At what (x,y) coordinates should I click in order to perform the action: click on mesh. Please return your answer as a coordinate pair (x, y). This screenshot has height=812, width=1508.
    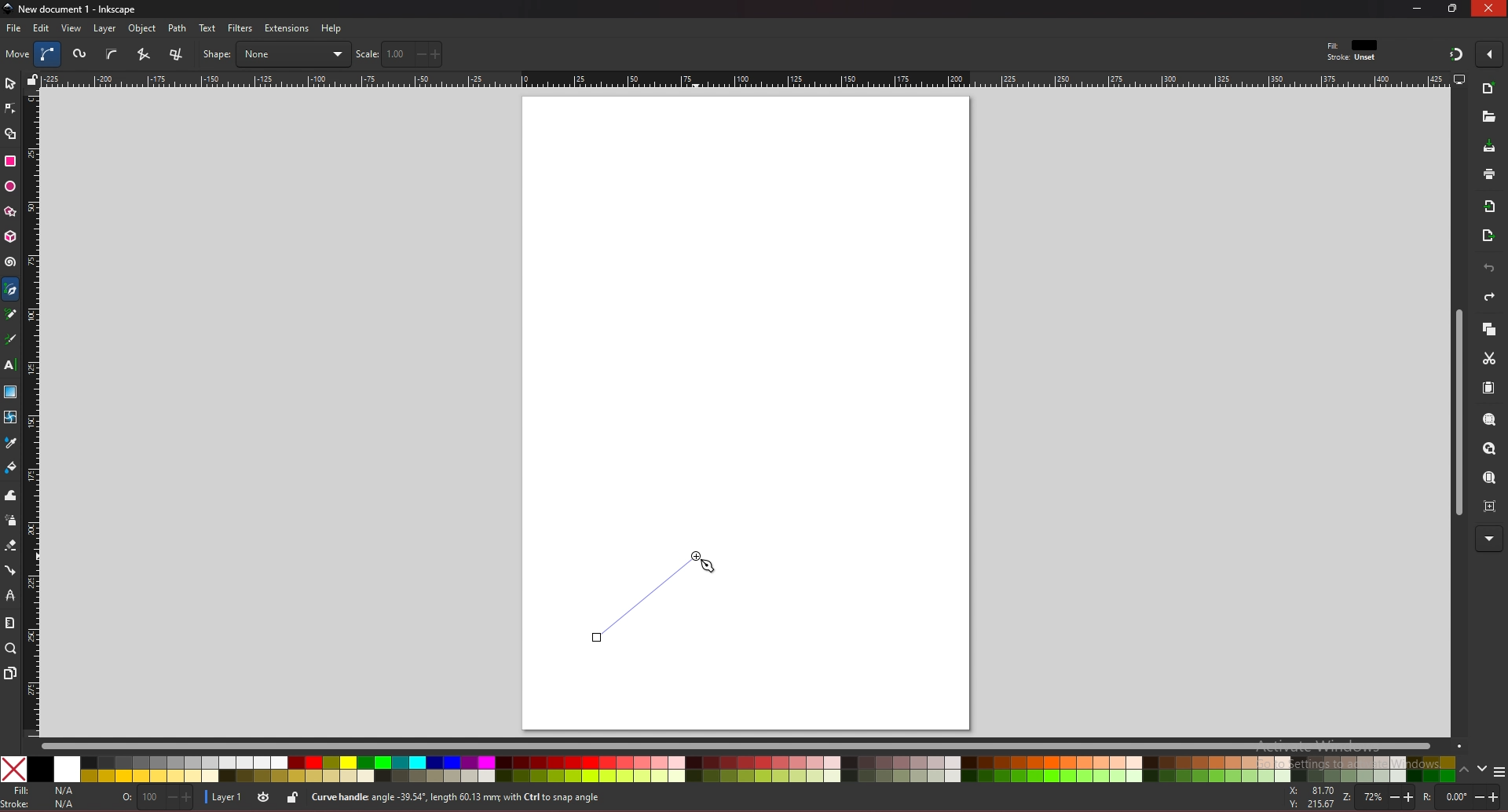
    Looking at the image, I should click on (9, 417).